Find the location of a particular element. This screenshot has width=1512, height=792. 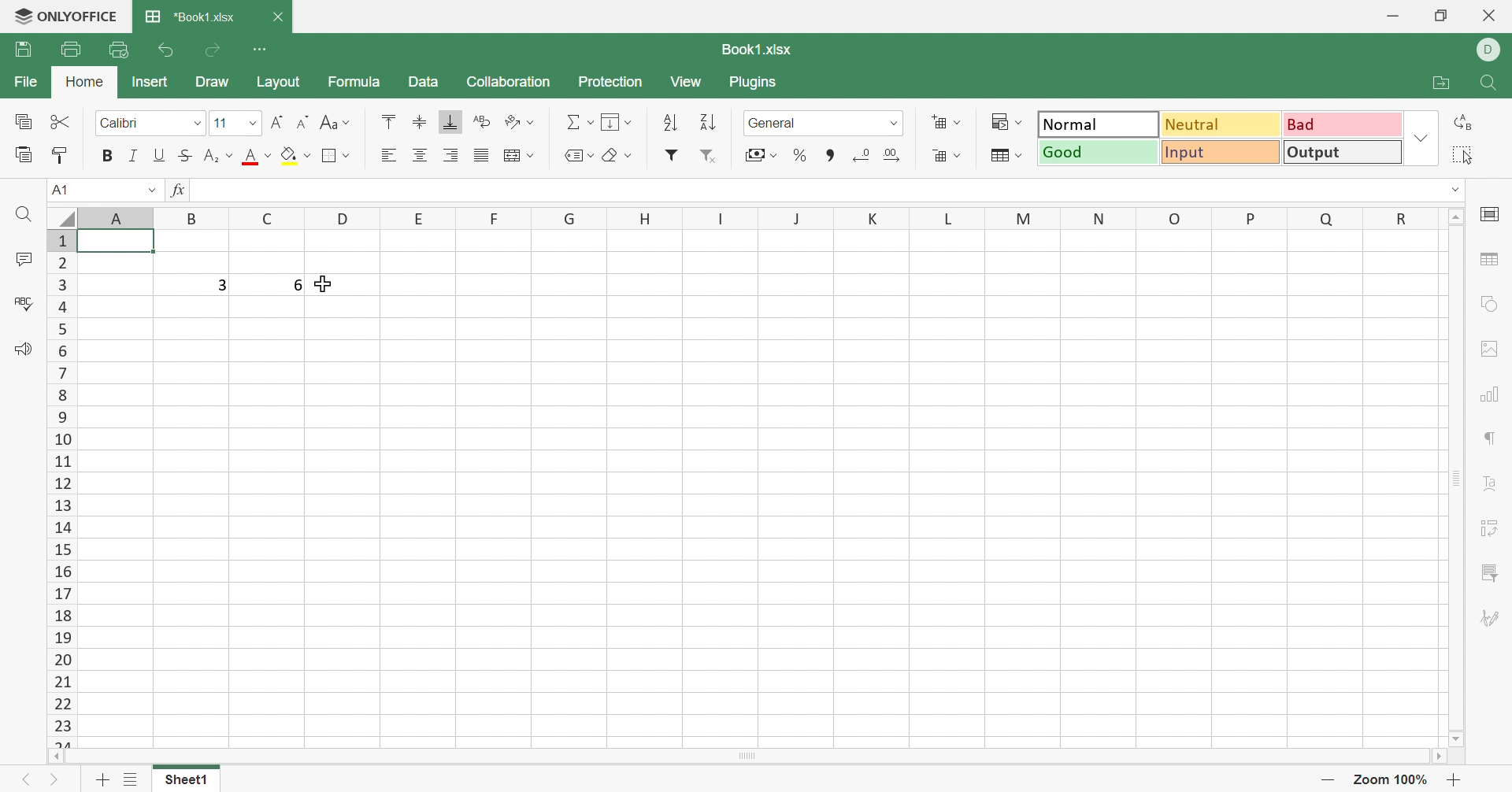

DELL is located at coordinates (1491, 48).